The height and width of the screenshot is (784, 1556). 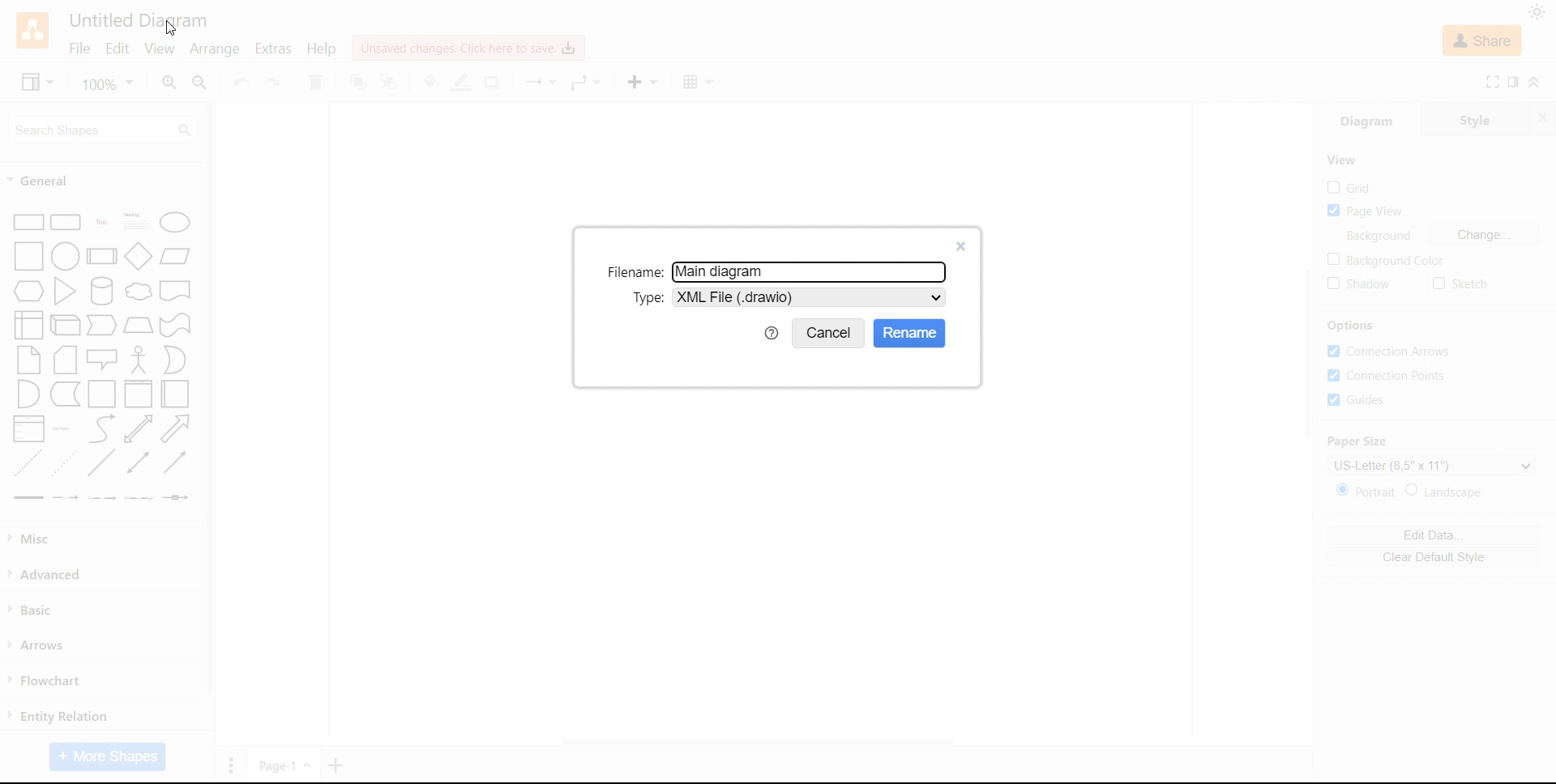 What do you see at coordinates (430, 82) in the screenshot?
I see `Fill colour ` at bounding box center [430, 82].